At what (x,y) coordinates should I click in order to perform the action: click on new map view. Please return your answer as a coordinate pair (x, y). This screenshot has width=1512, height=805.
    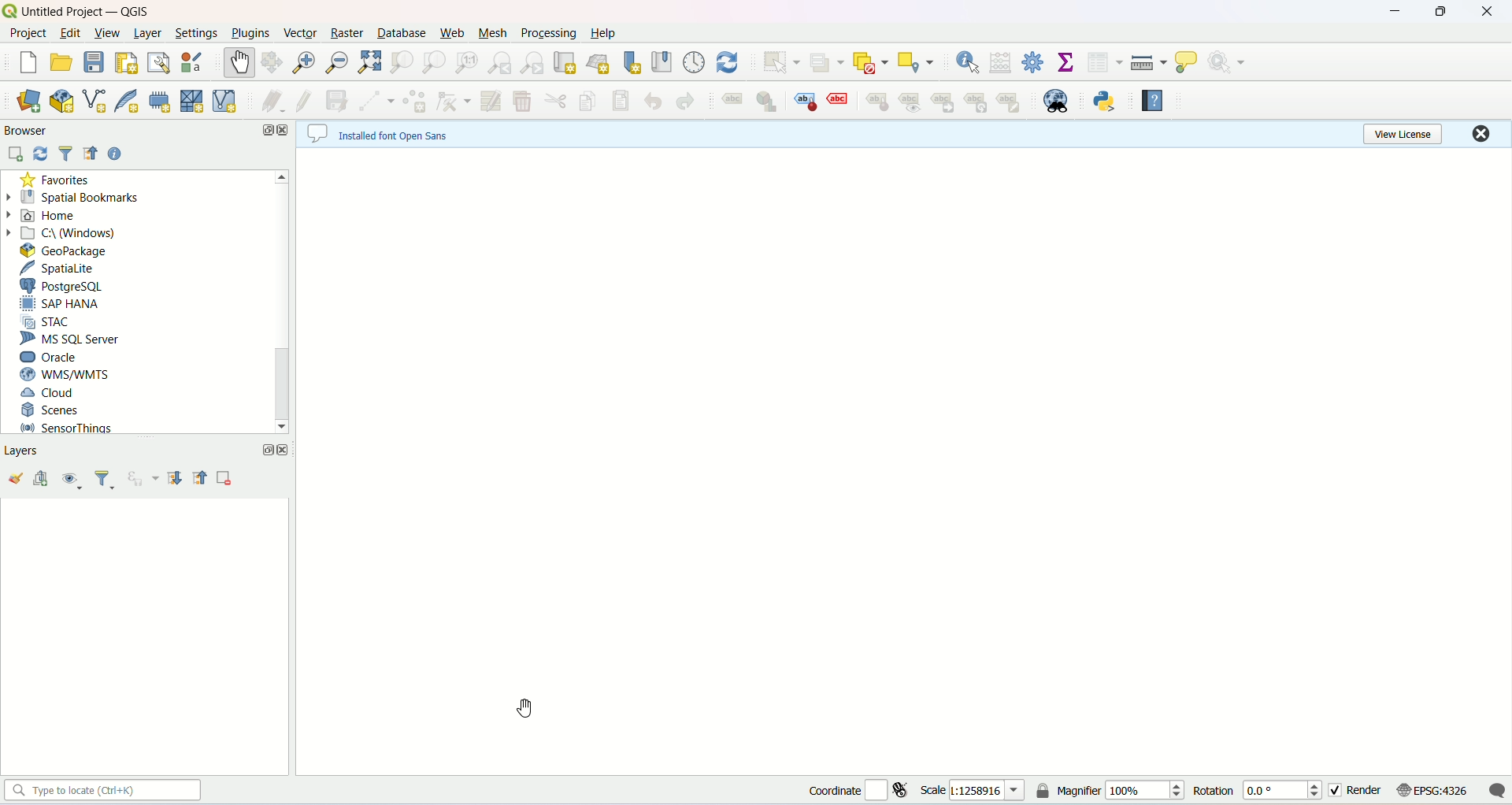
    Looking at the image, I should click on (568, 62).